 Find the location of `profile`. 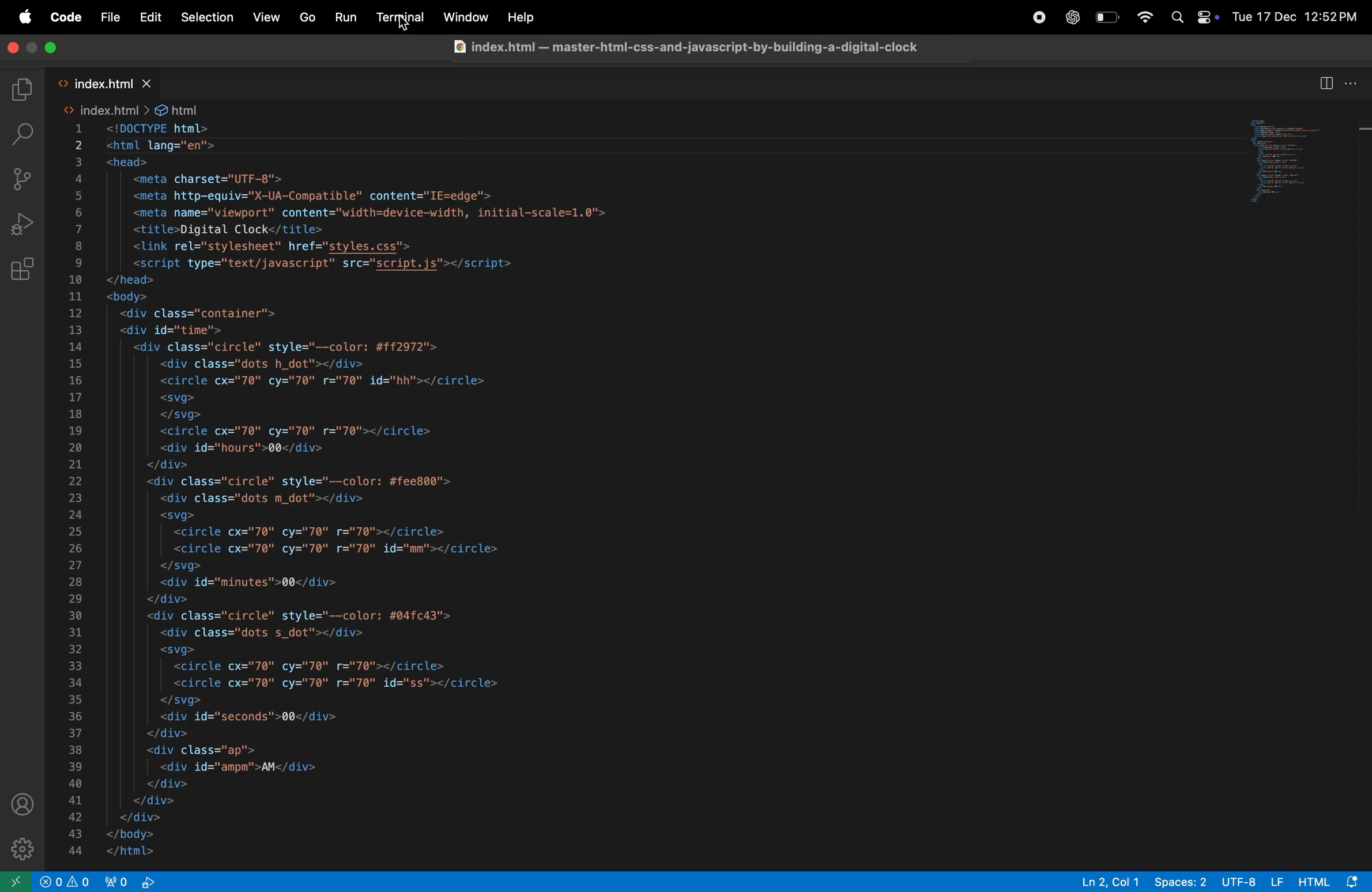

profile is located at coordinates (24, 800).